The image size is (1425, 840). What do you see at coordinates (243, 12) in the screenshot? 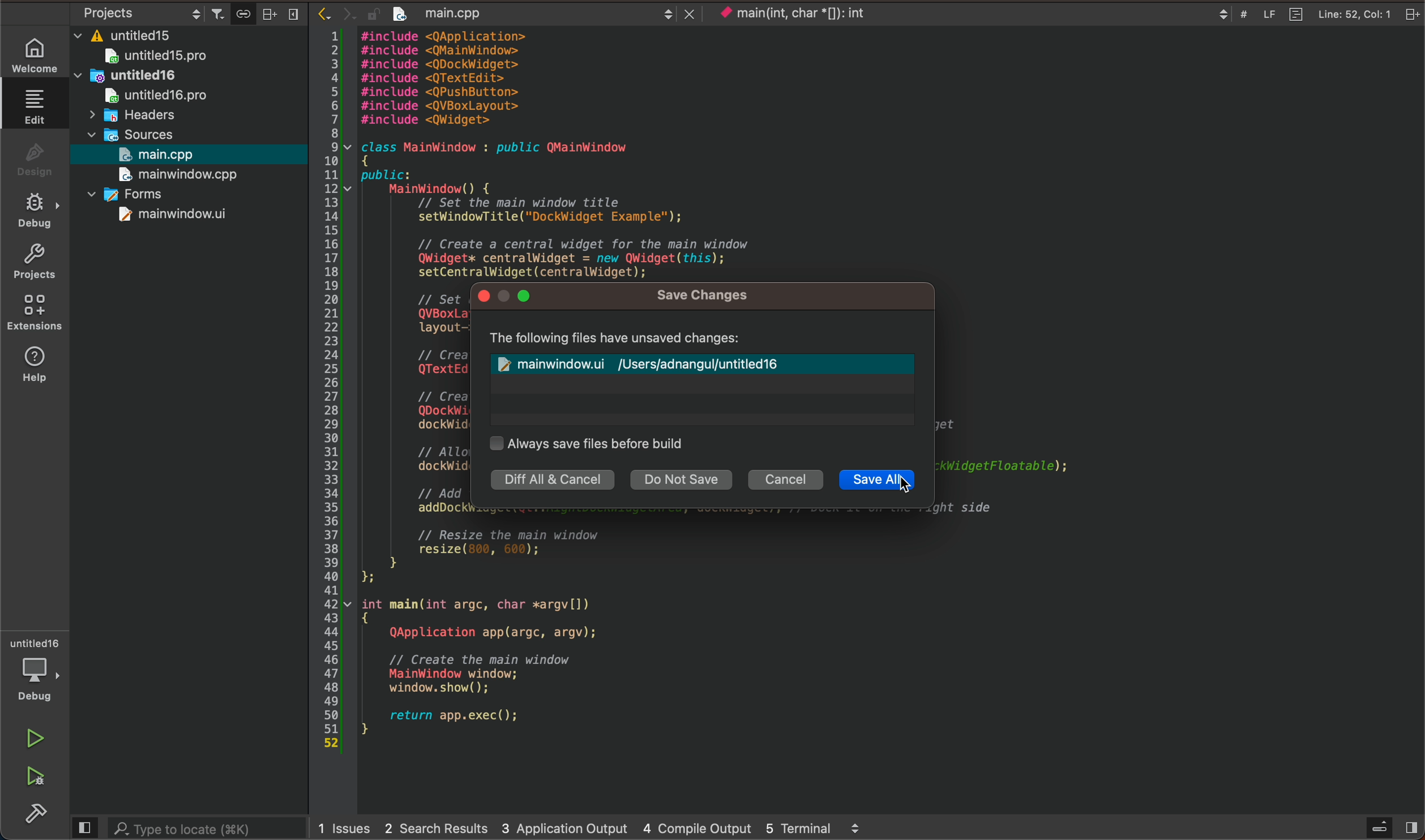
I see `save` at bounding box center [243, 12].